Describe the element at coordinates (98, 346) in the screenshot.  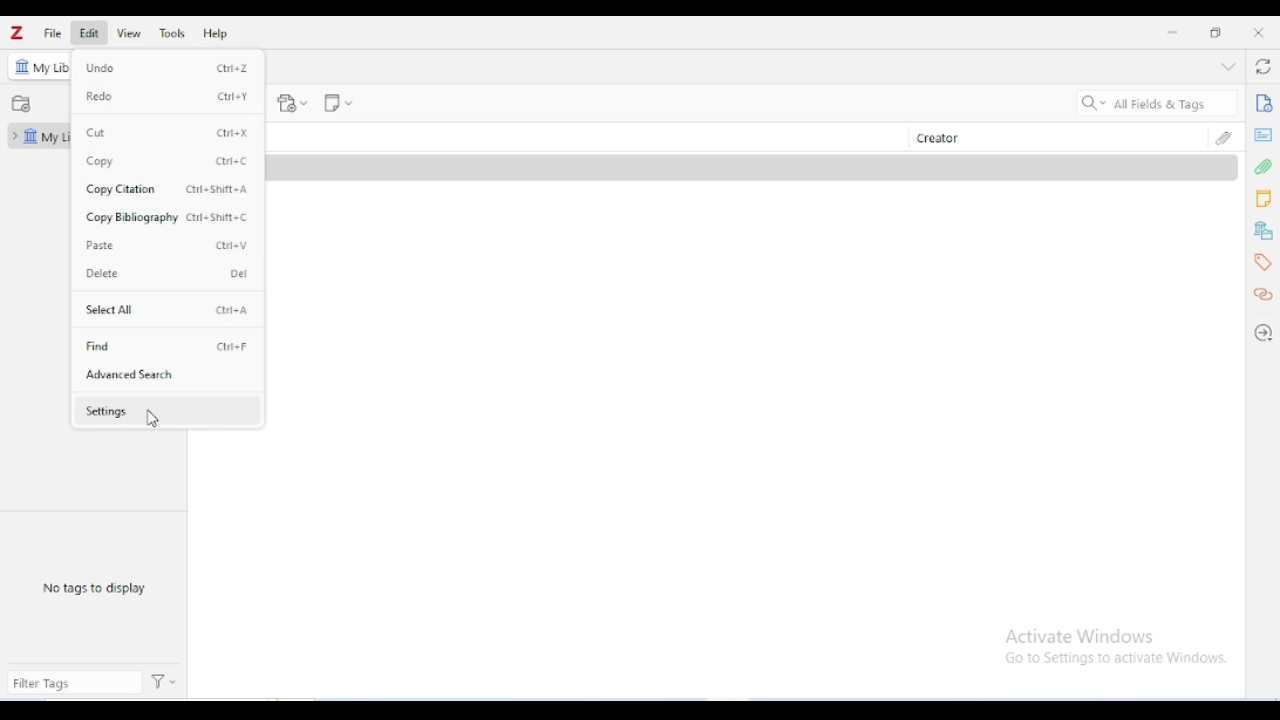
I see `find` at that location.